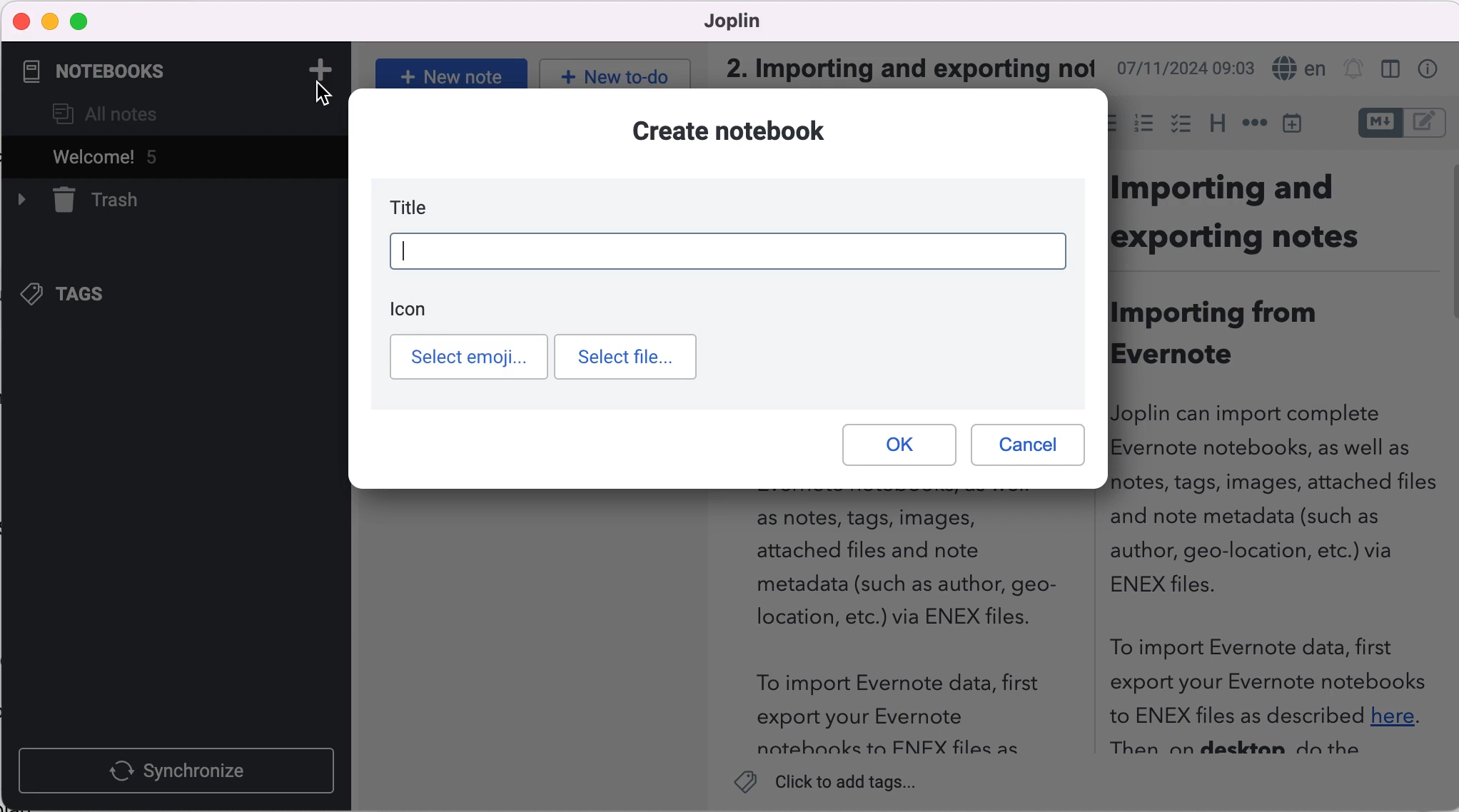 This screenshot has height=812, width=1459. Describe the element at coordinates (448, 75) in the screenshot. I see `New note` at that location.